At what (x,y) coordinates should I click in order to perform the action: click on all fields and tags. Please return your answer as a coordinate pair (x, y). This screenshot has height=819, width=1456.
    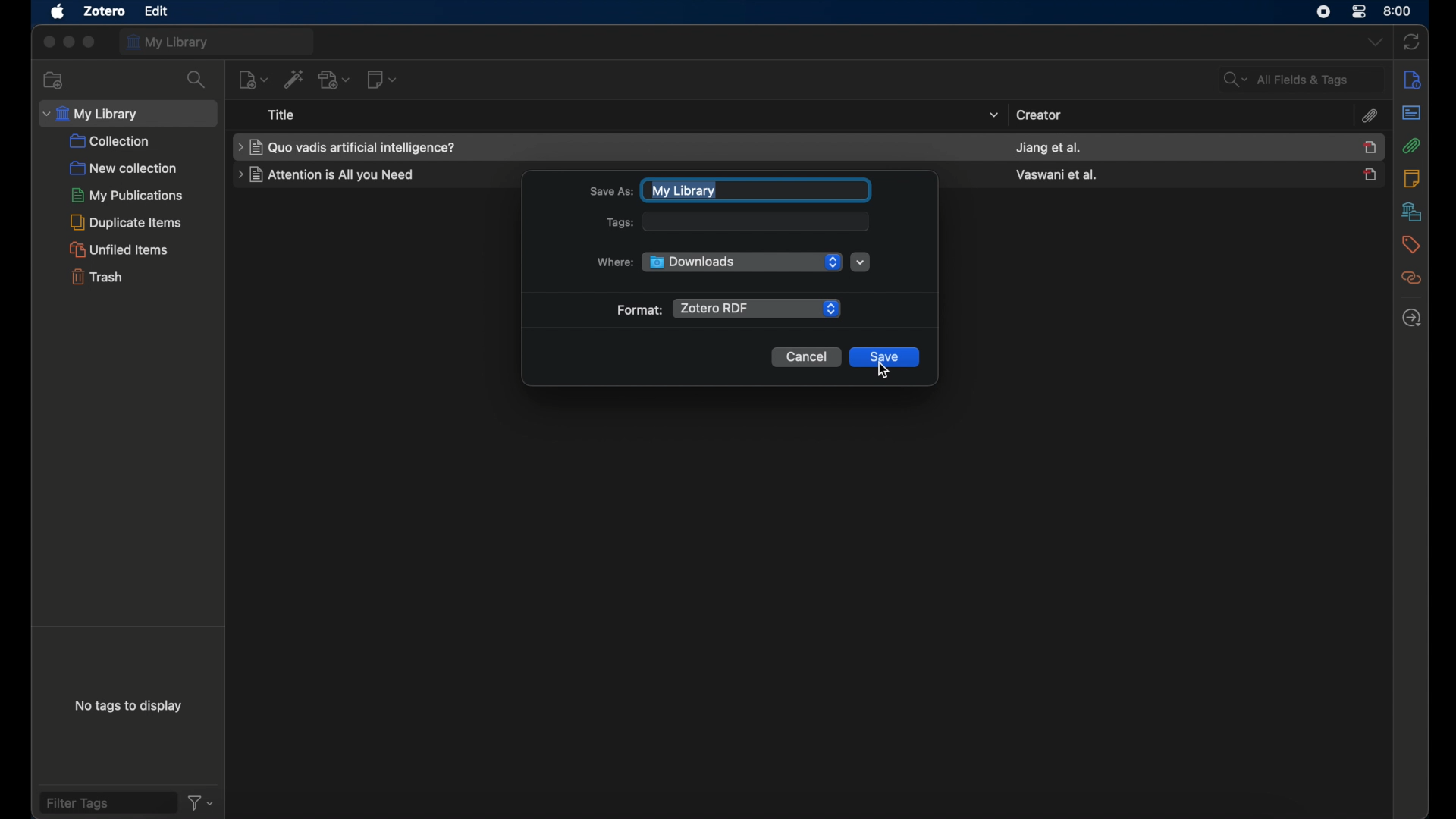
    Looking at the image, I should click on (1301, 79).